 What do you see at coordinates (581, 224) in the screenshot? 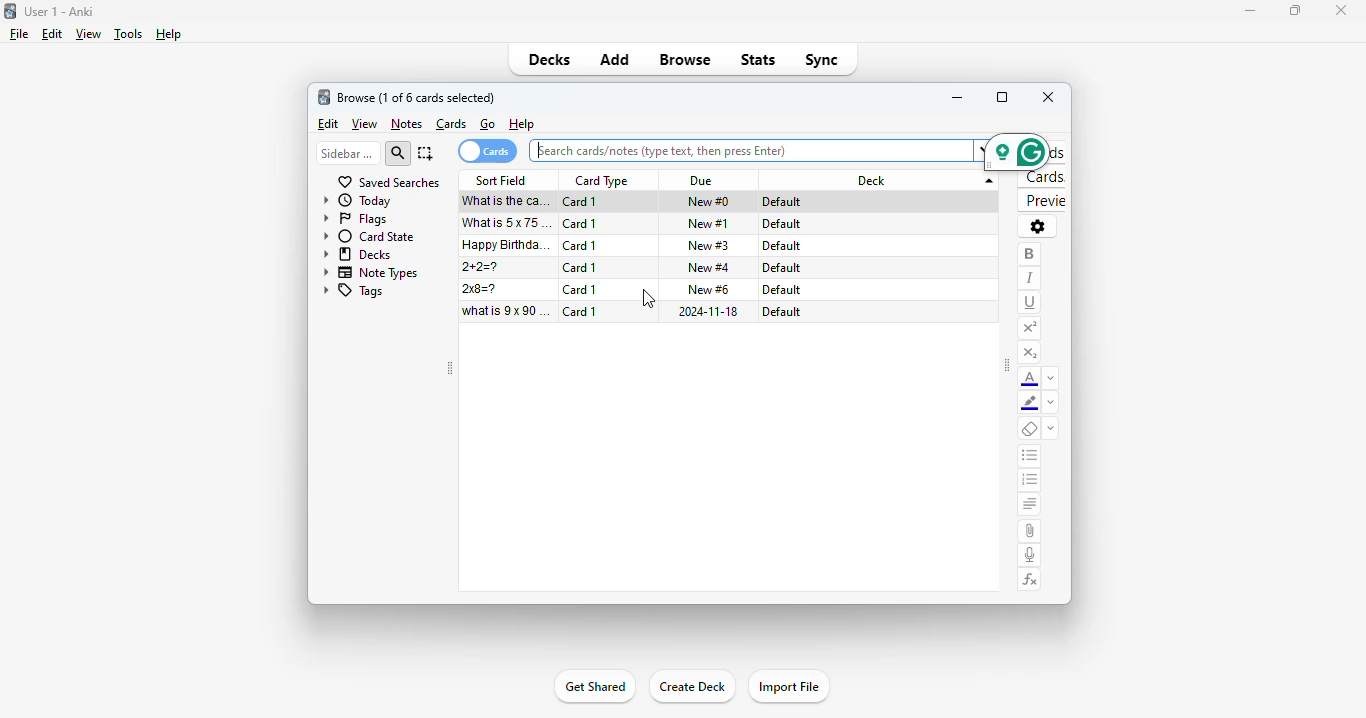
I see `card 1` at bounding box center [581, 224].